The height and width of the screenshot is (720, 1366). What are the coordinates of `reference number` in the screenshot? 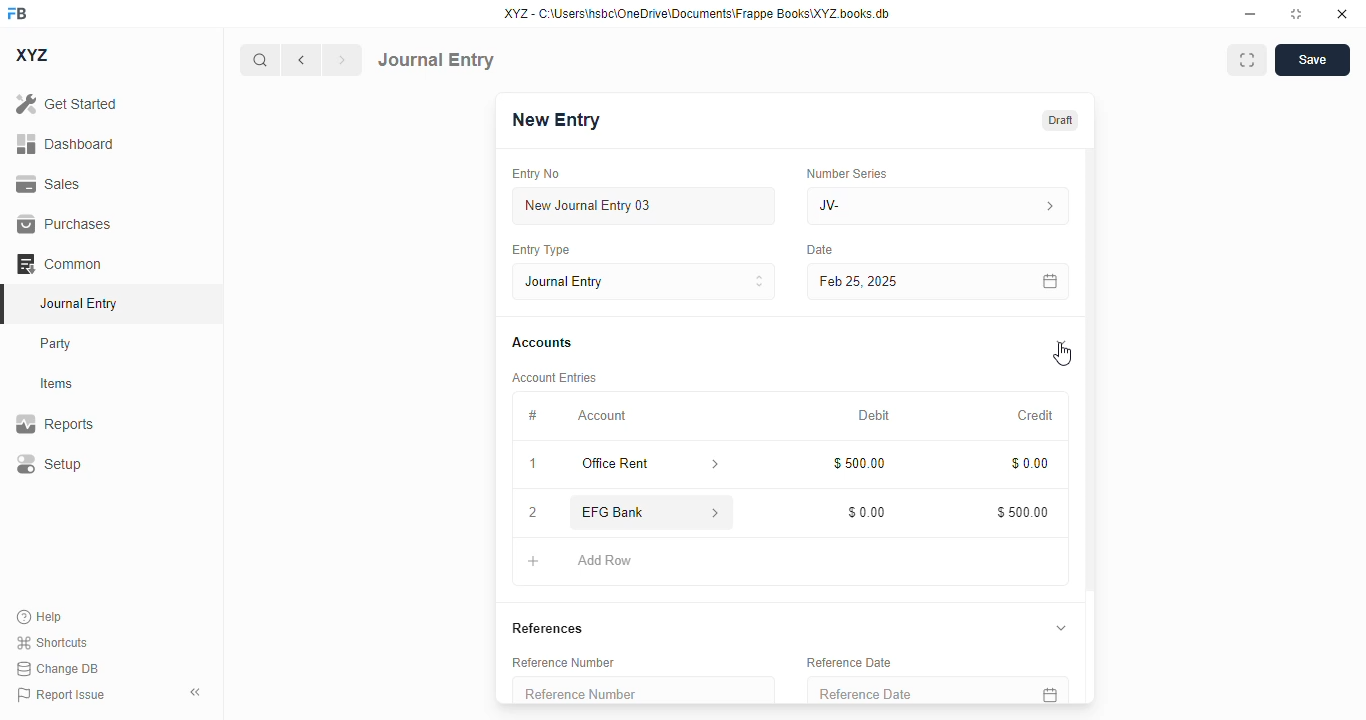 It's located at (643, 690).